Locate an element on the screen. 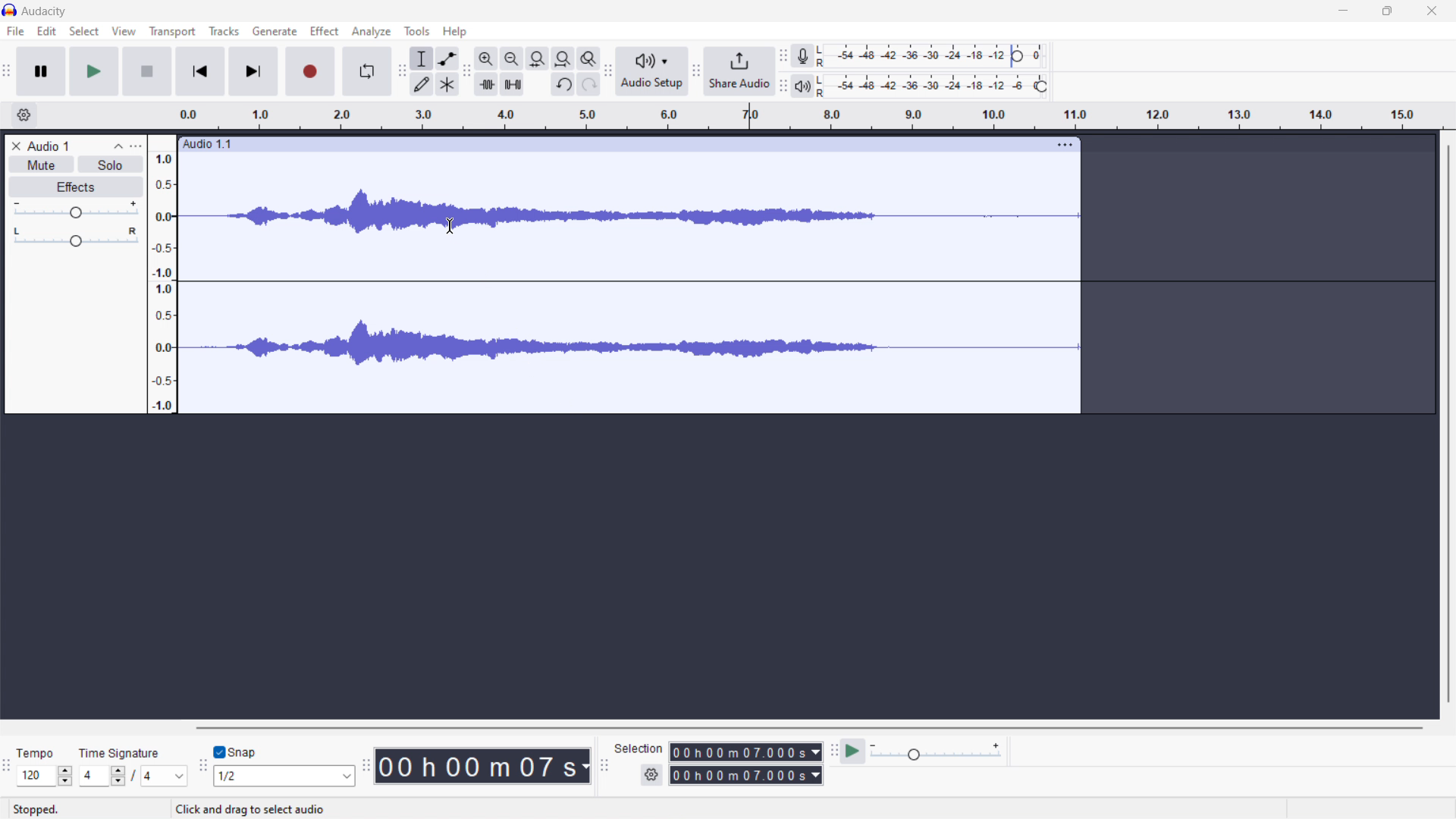 The image size is (1456, 819). recording meter toolbar is located at coordinates (783, 56).